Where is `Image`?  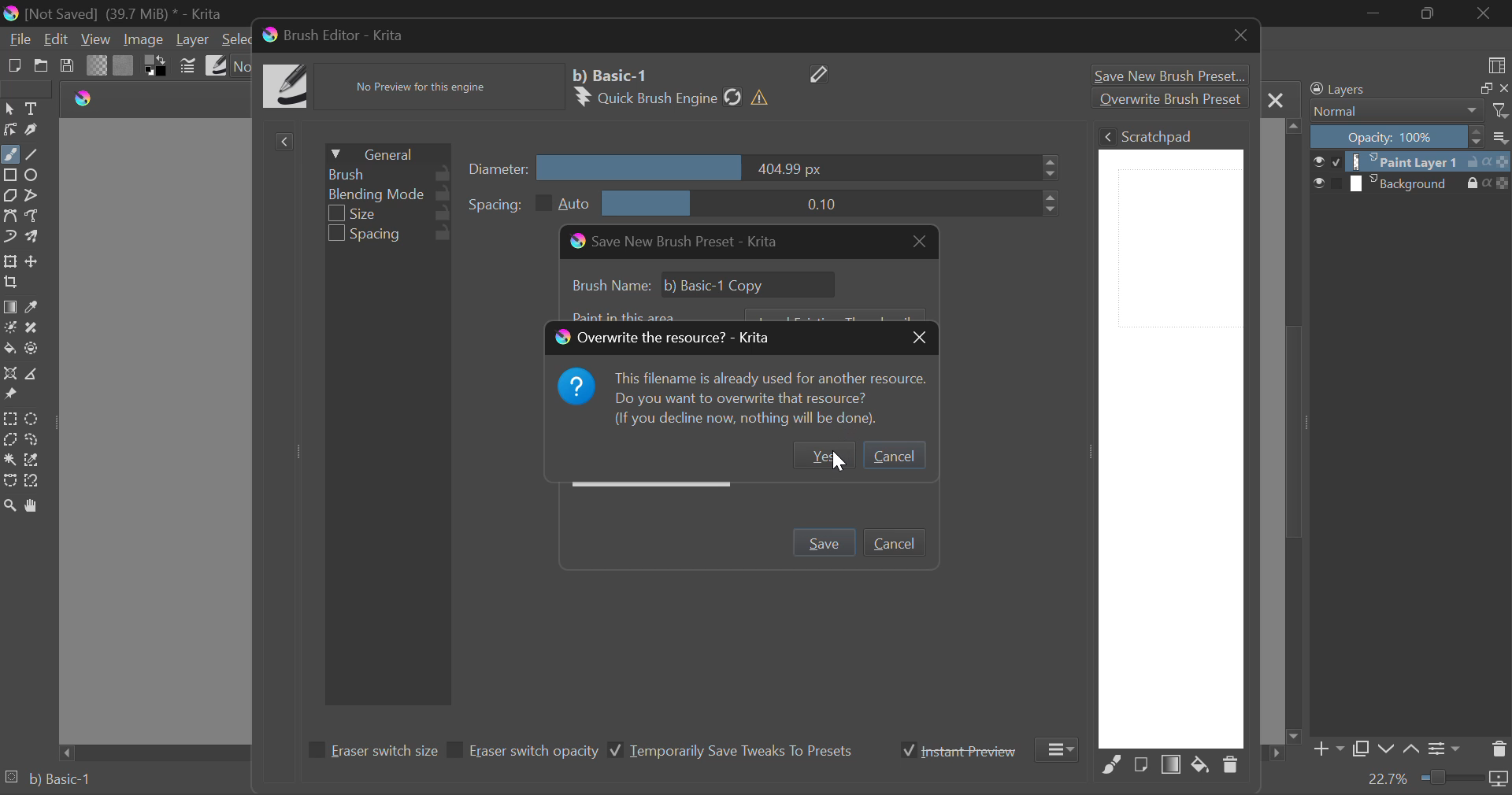
Image is located at coordinates (145, 40).